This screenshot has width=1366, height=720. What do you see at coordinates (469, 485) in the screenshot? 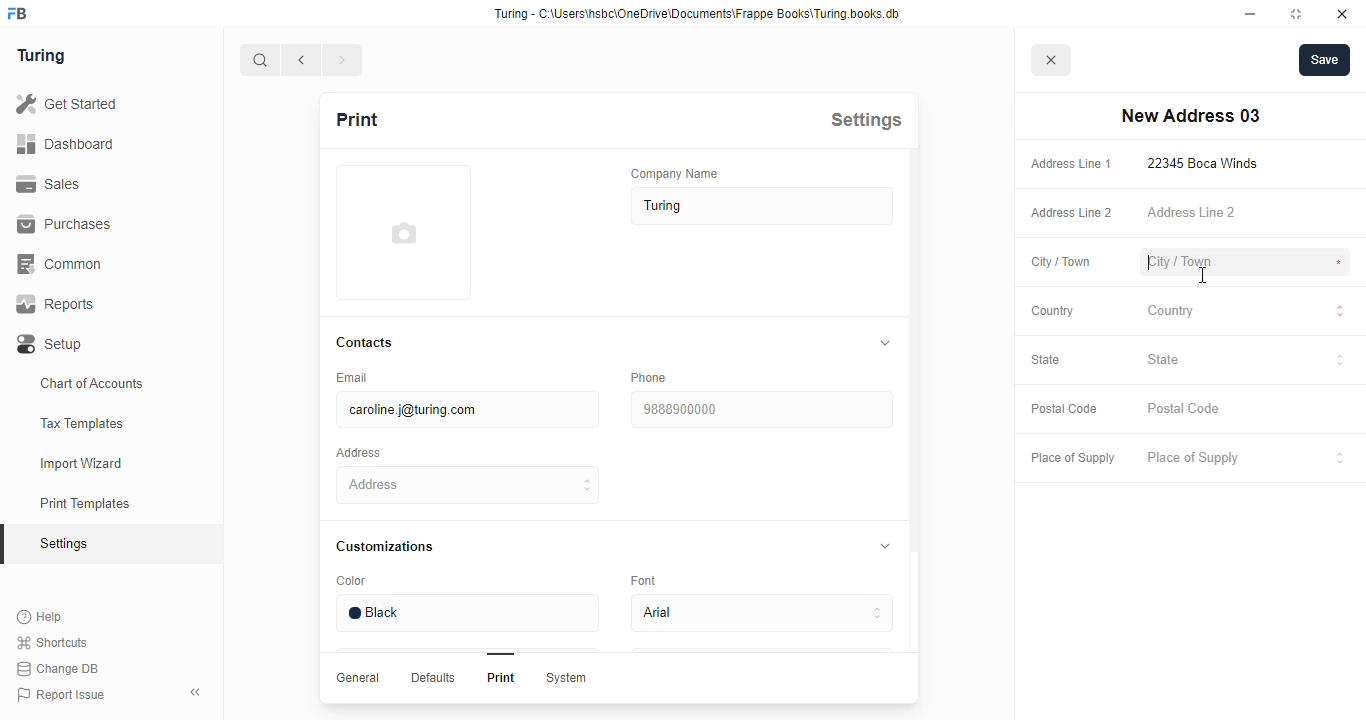
I see `address` at bounding box center [469, 485].